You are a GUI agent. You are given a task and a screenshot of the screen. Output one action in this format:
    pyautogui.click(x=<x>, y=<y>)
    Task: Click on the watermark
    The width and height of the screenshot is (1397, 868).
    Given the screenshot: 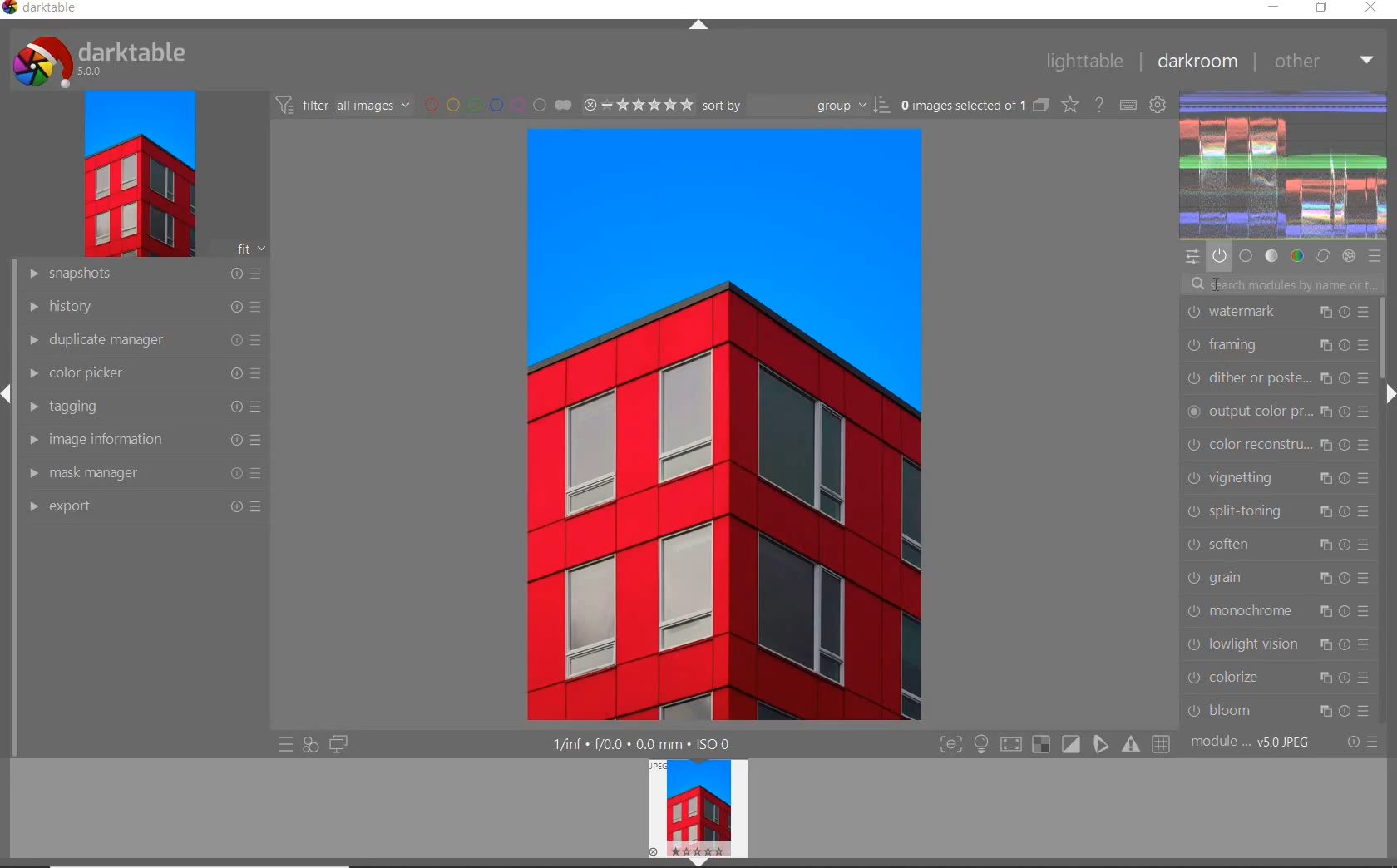 What is the action you would take?
    pyautogui.click(x=1276, y=310)
    